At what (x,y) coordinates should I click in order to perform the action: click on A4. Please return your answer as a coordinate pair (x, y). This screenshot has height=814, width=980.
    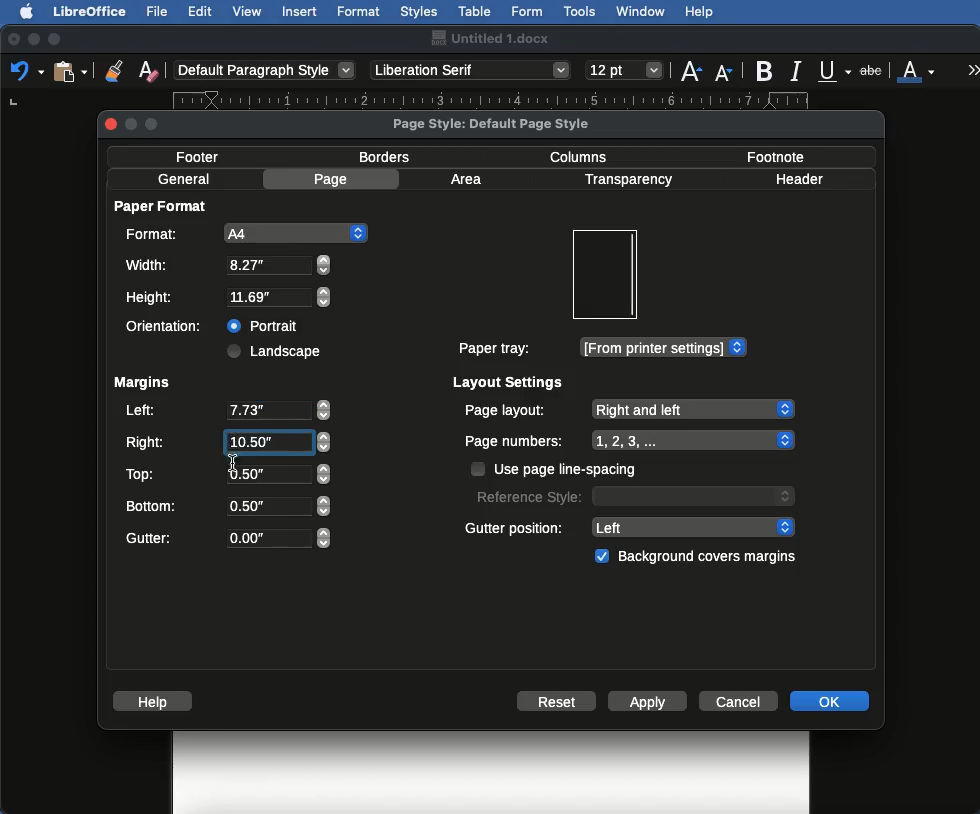
    Looking at the image, I should click on (243, 233).